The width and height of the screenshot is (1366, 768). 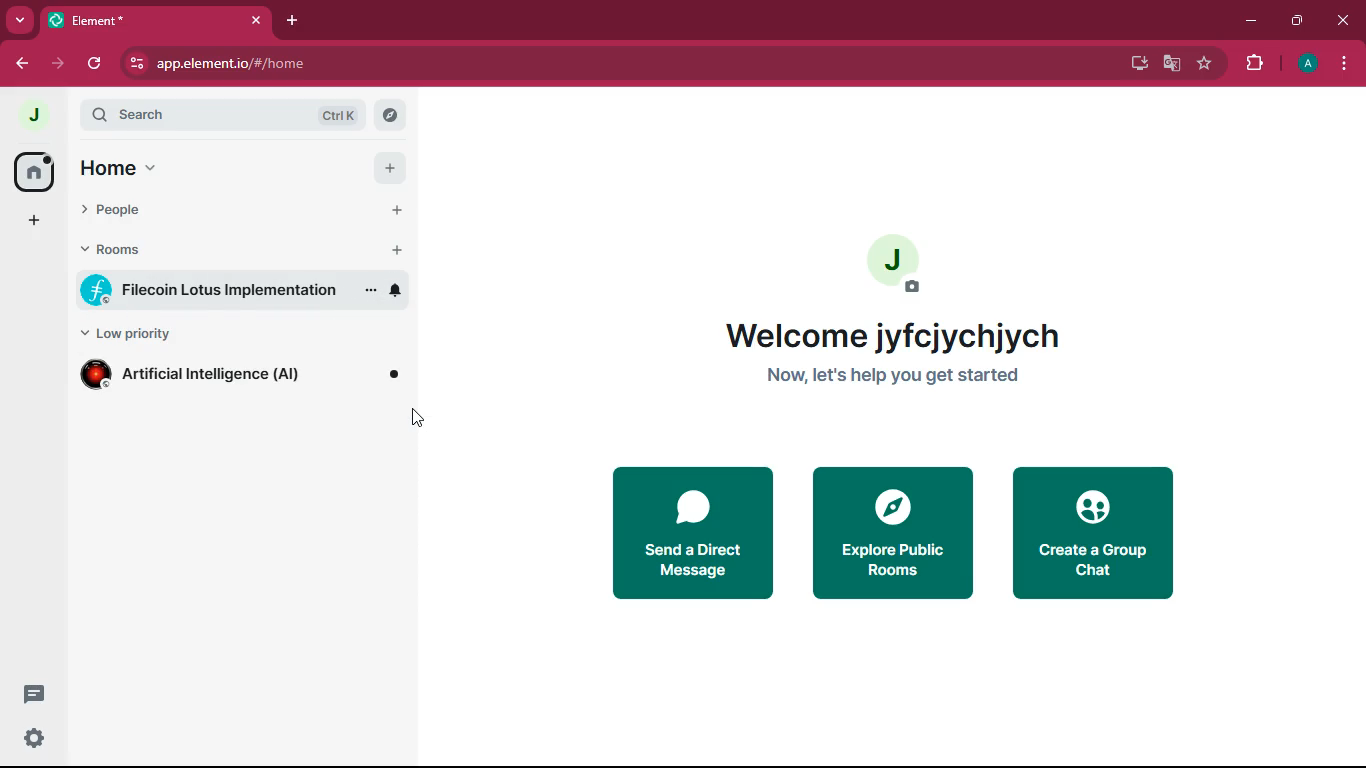 What do you see at coordinates (413, 419) in the screenshot?
I see `cursor` at bounding box center [413, 419].